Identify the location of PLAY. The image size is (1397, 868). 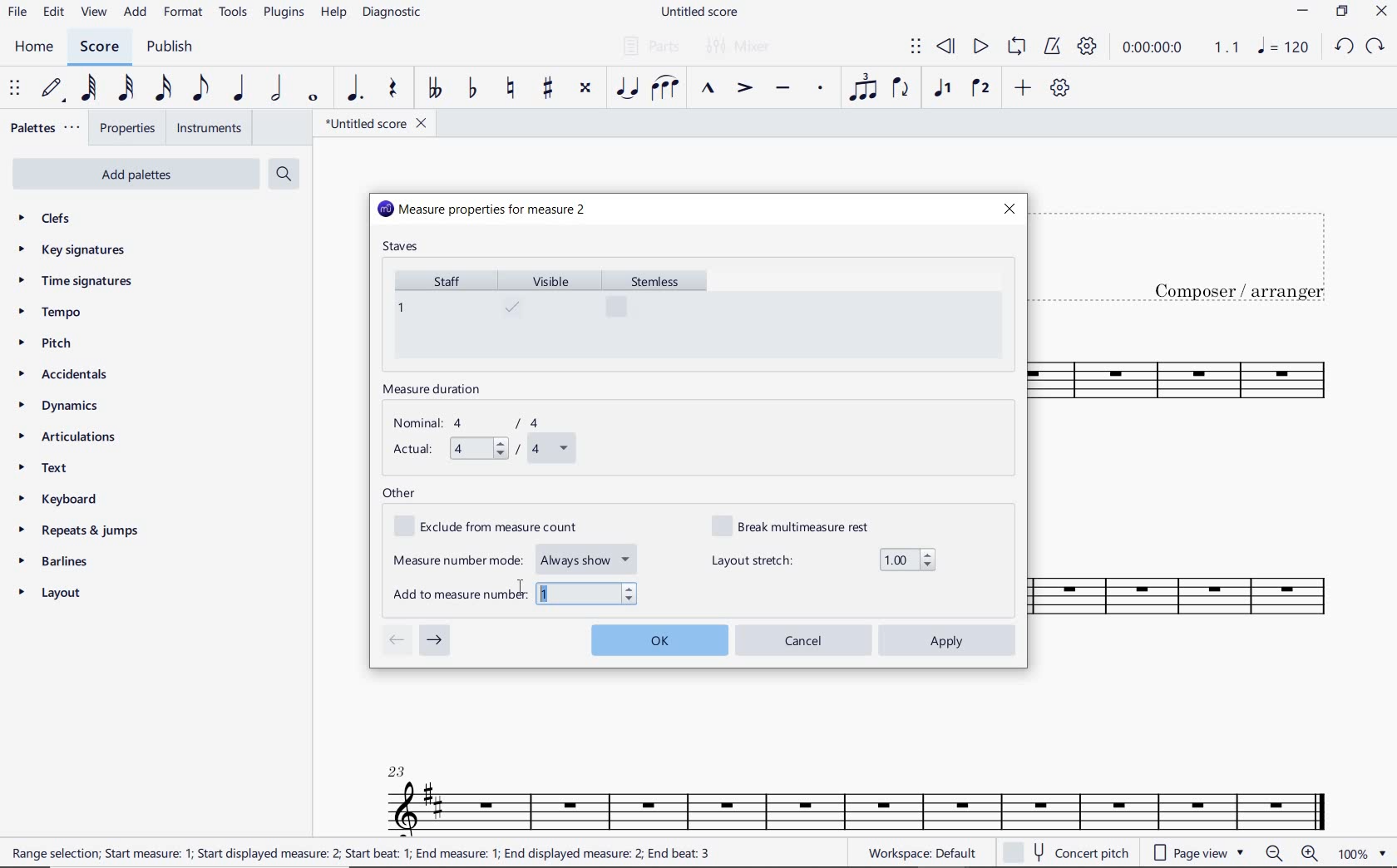
(979, 47).